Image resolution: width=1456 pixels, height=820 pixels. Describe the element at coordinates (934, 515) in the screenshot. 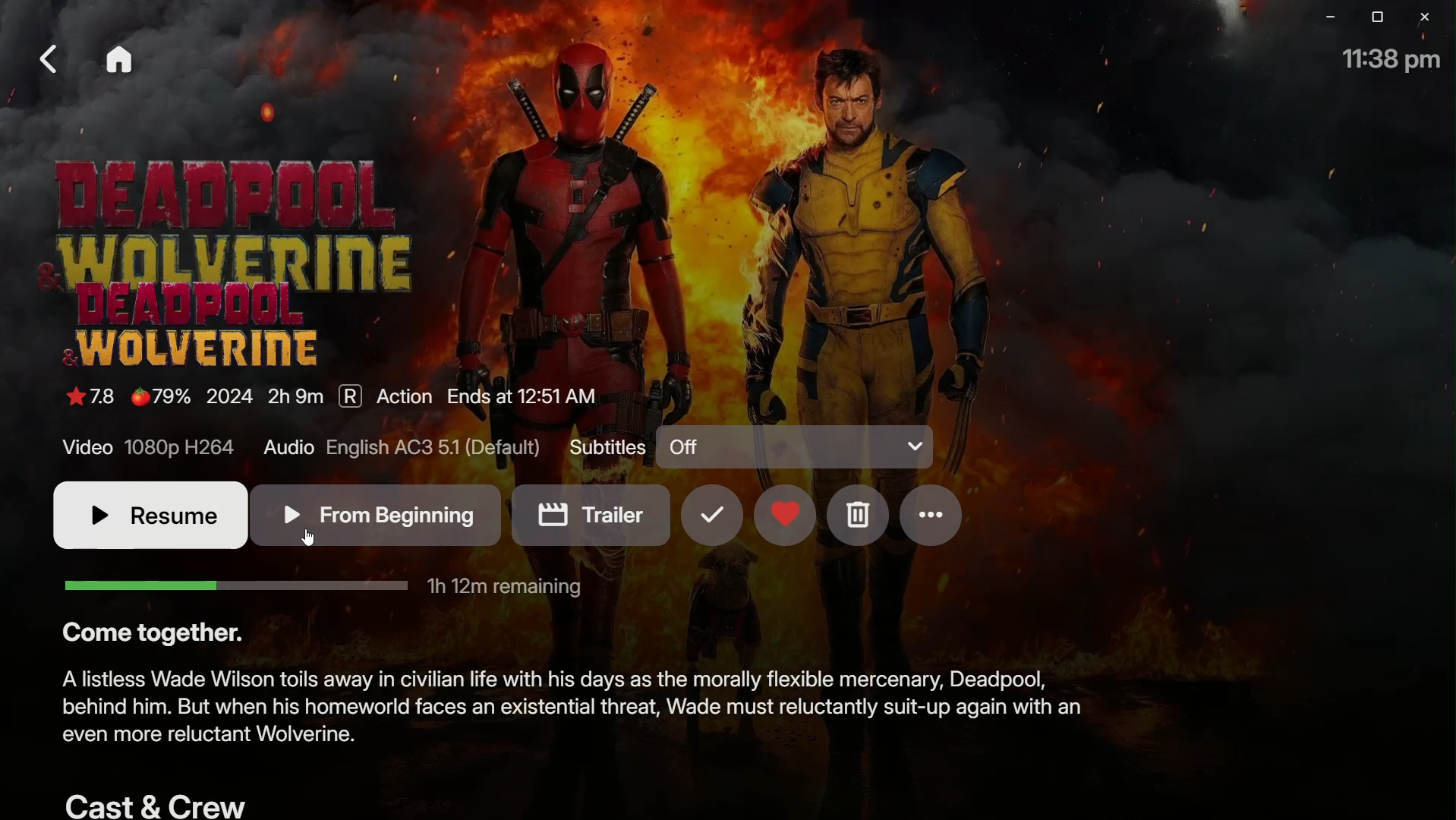

I see `More Options` at that location.